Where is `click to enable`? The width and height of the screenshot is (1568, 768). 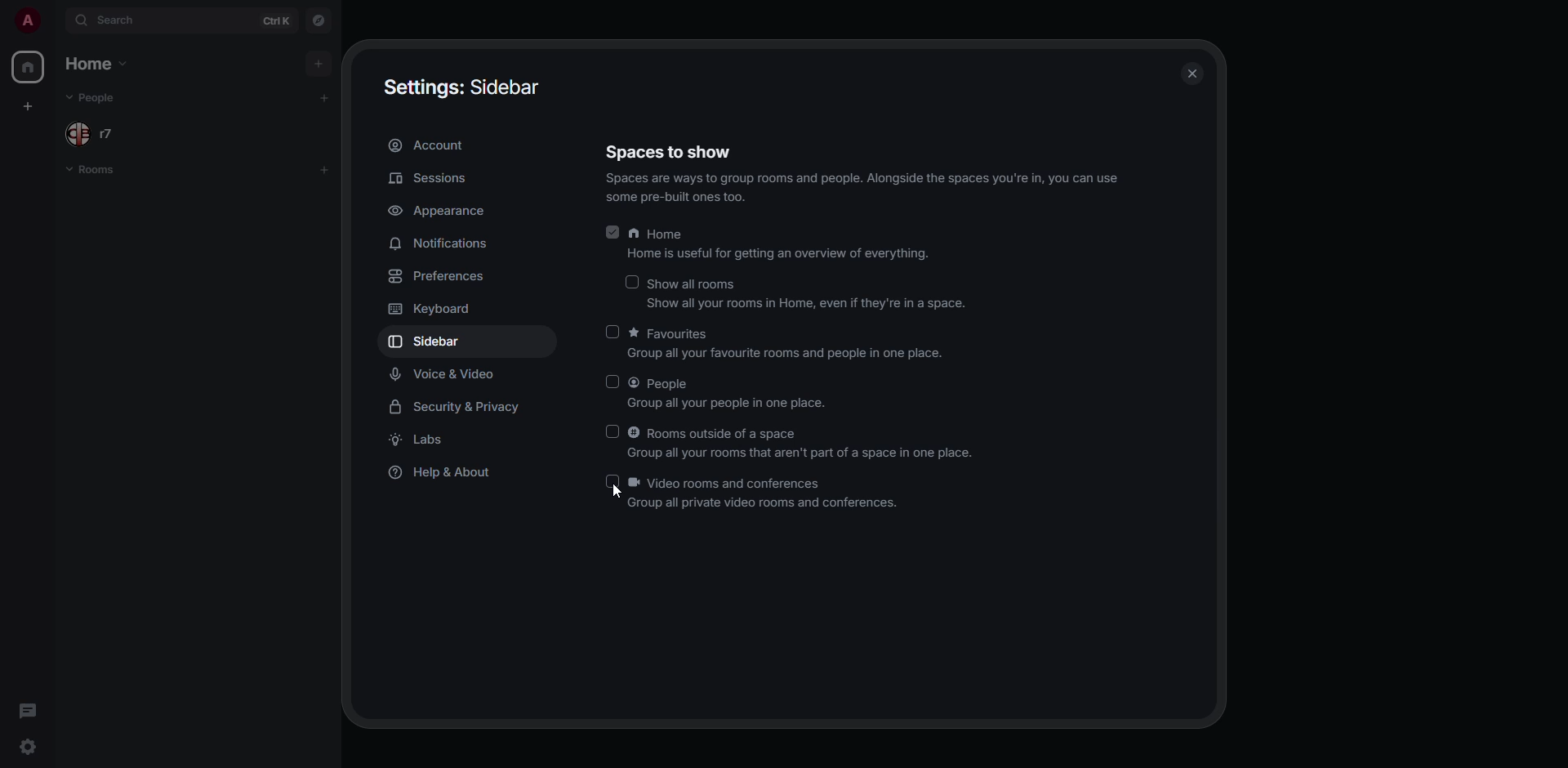 click to enable is located at coordinates (634, 281).